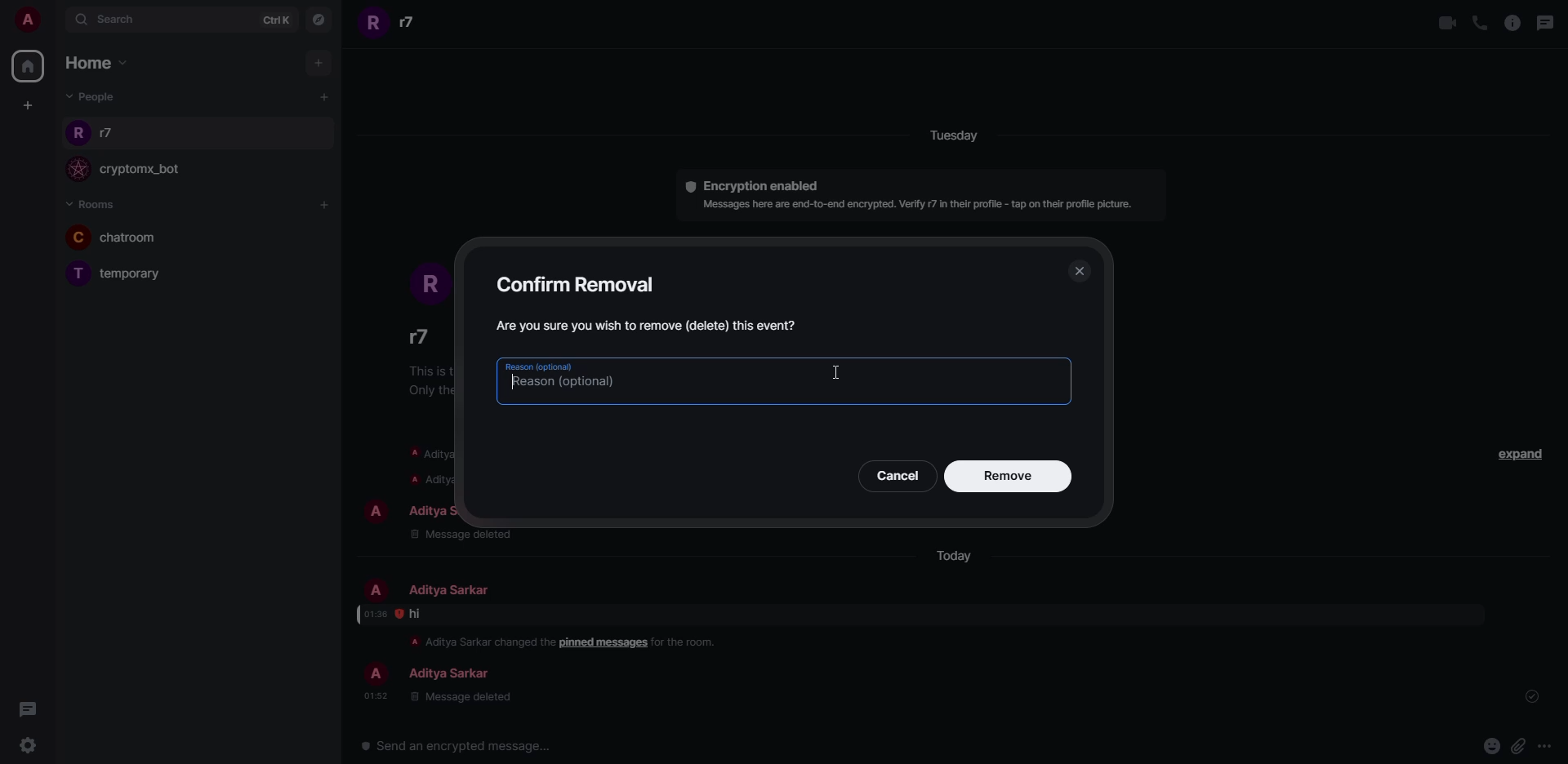  I want to click on video call, so click(1442, 22).